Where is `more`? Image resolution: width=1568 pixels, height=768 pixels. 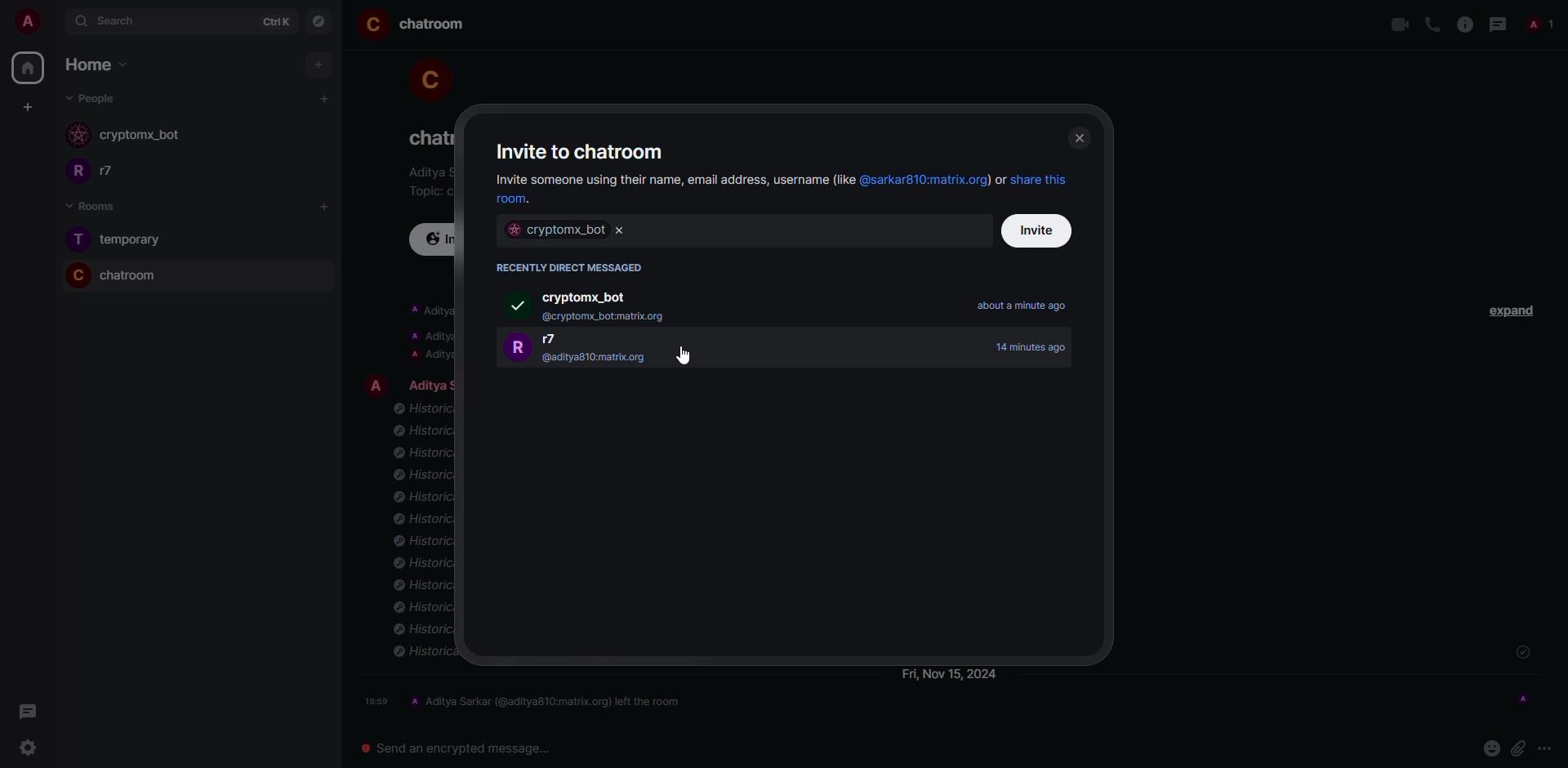 more is located at coordinates (1547, 748).